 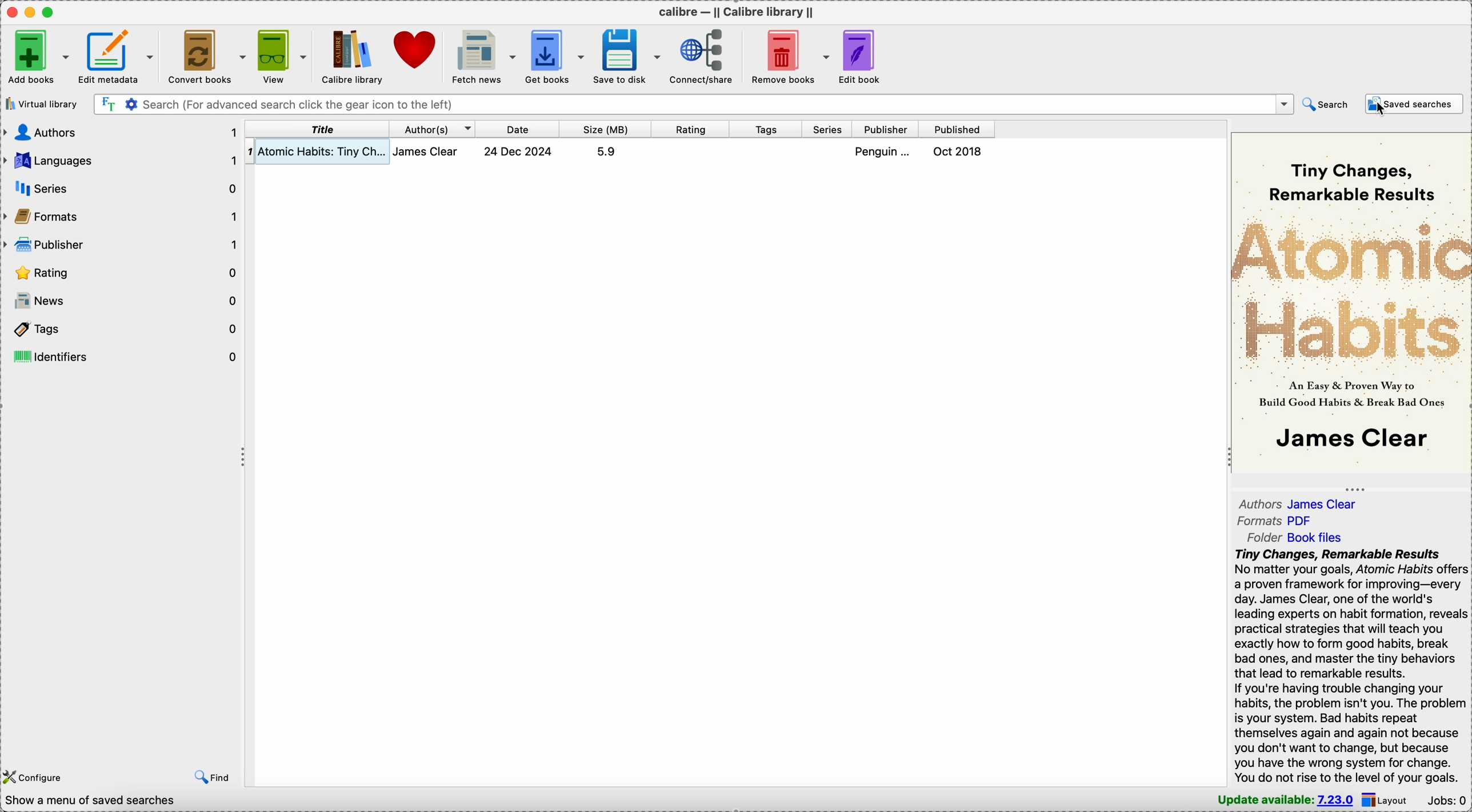 I want to click on cursor, so click(x=1381, y=108).